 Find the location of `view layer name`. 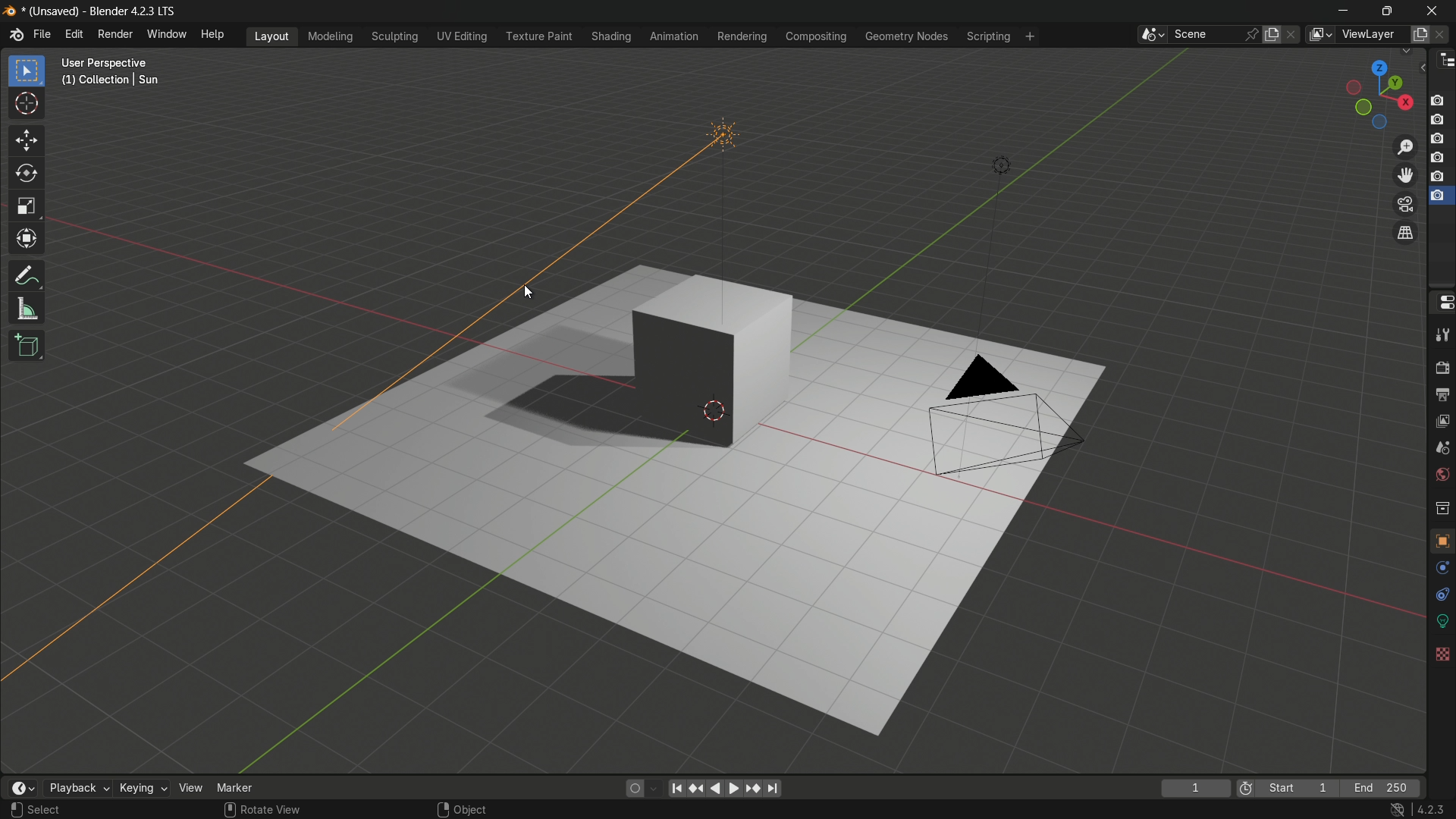

view layer name is located at coordinates (1373, 35).